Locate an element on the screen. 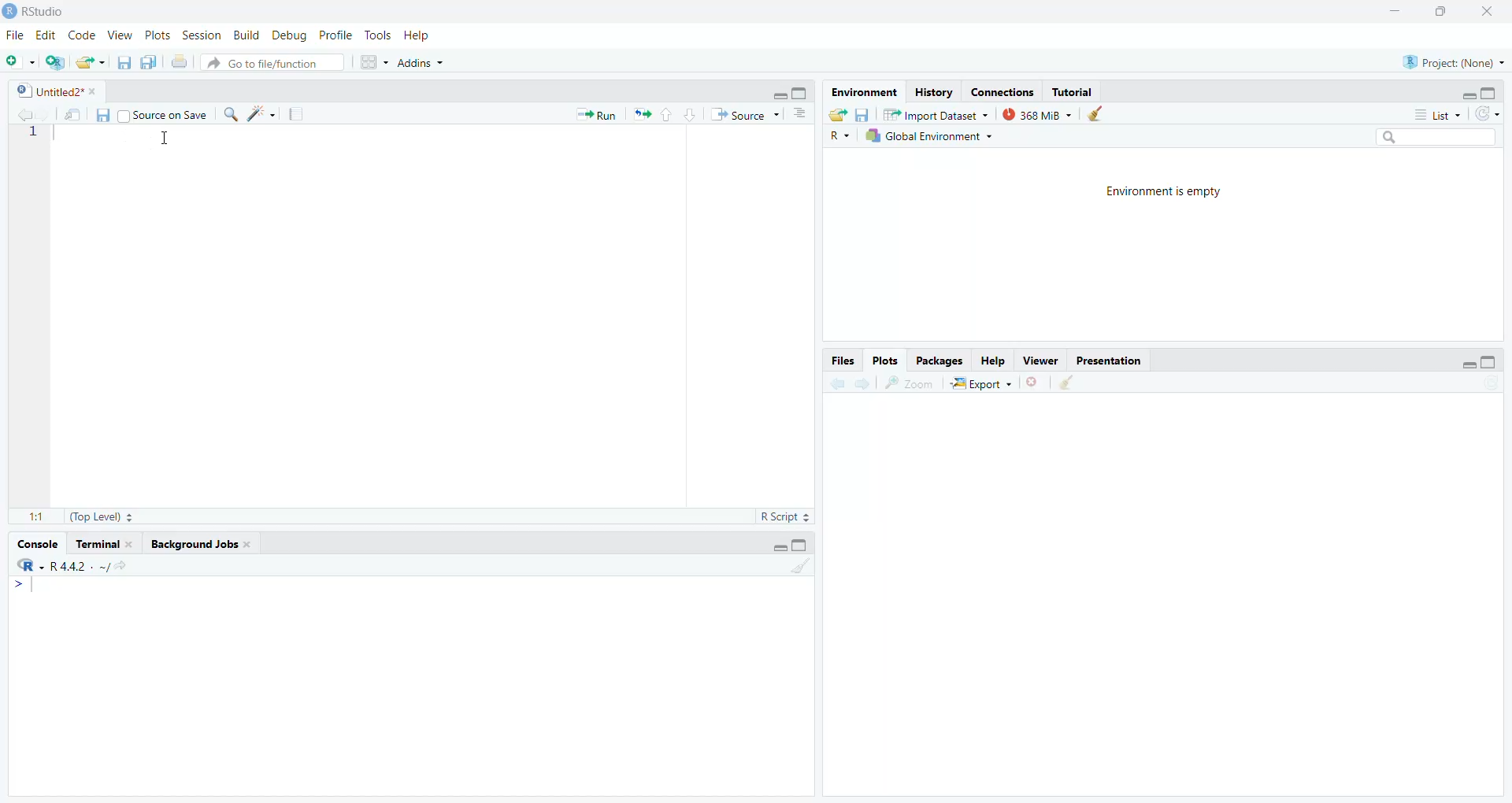  History is located at coordinates (934, 92).